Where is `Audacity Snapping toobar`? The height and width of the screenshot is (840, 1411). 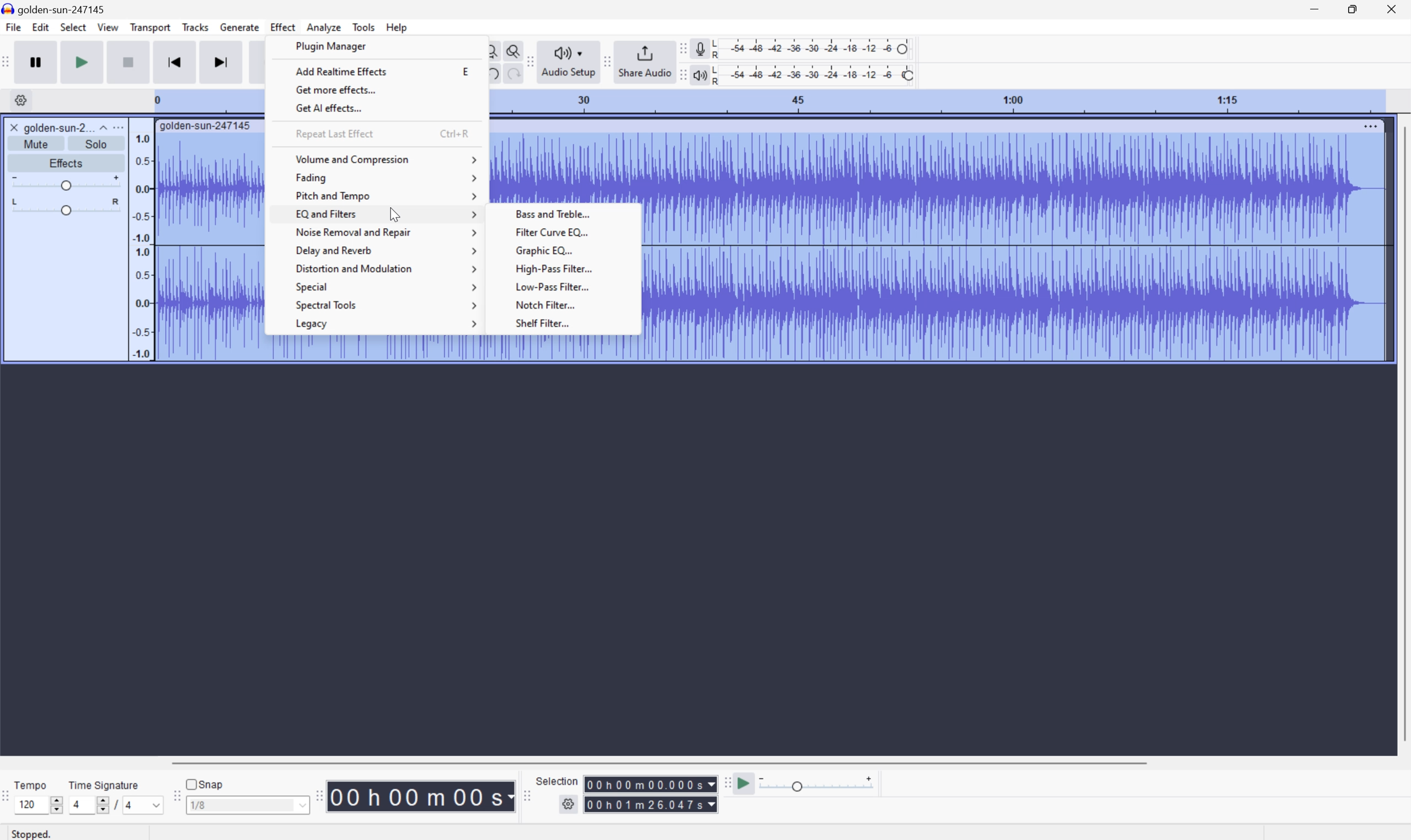
Audacity Snapping toobar is located at coordinates (174, 797).